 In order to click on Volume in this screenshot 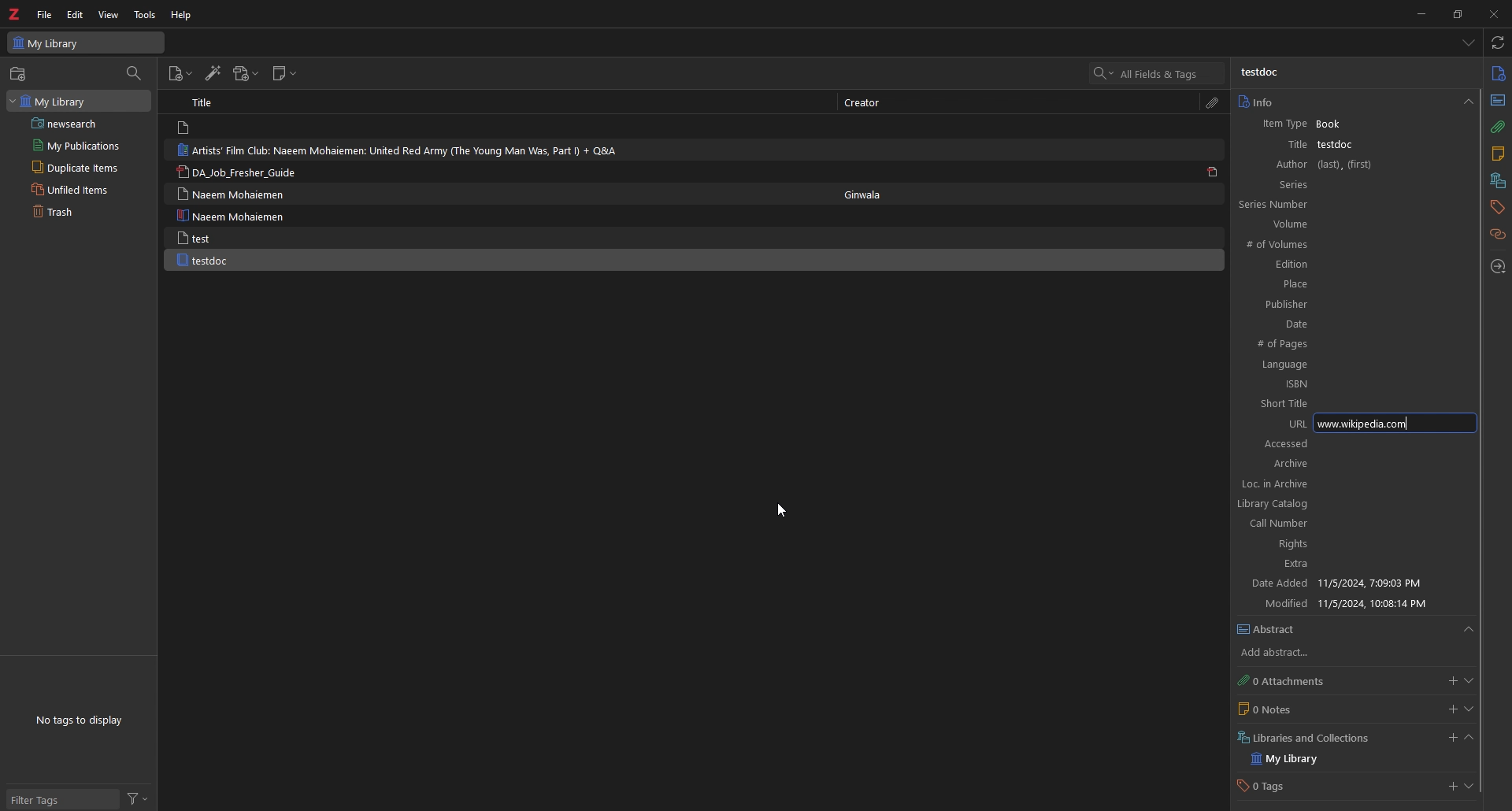, I will do `click(1322, 224)`.